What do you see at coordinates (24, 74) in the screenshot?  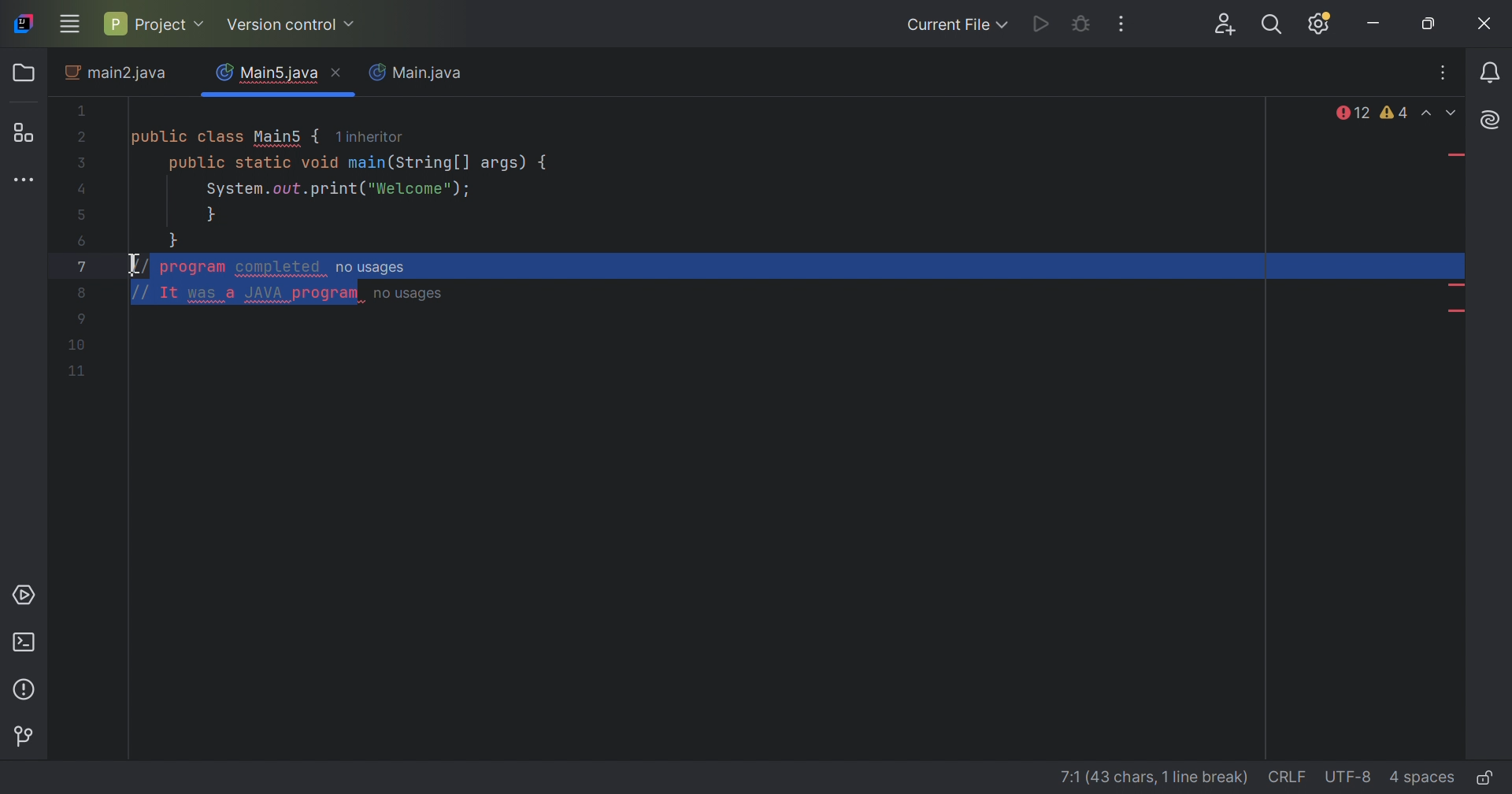 I see `Folder icon` at bounding box center [24, 74].